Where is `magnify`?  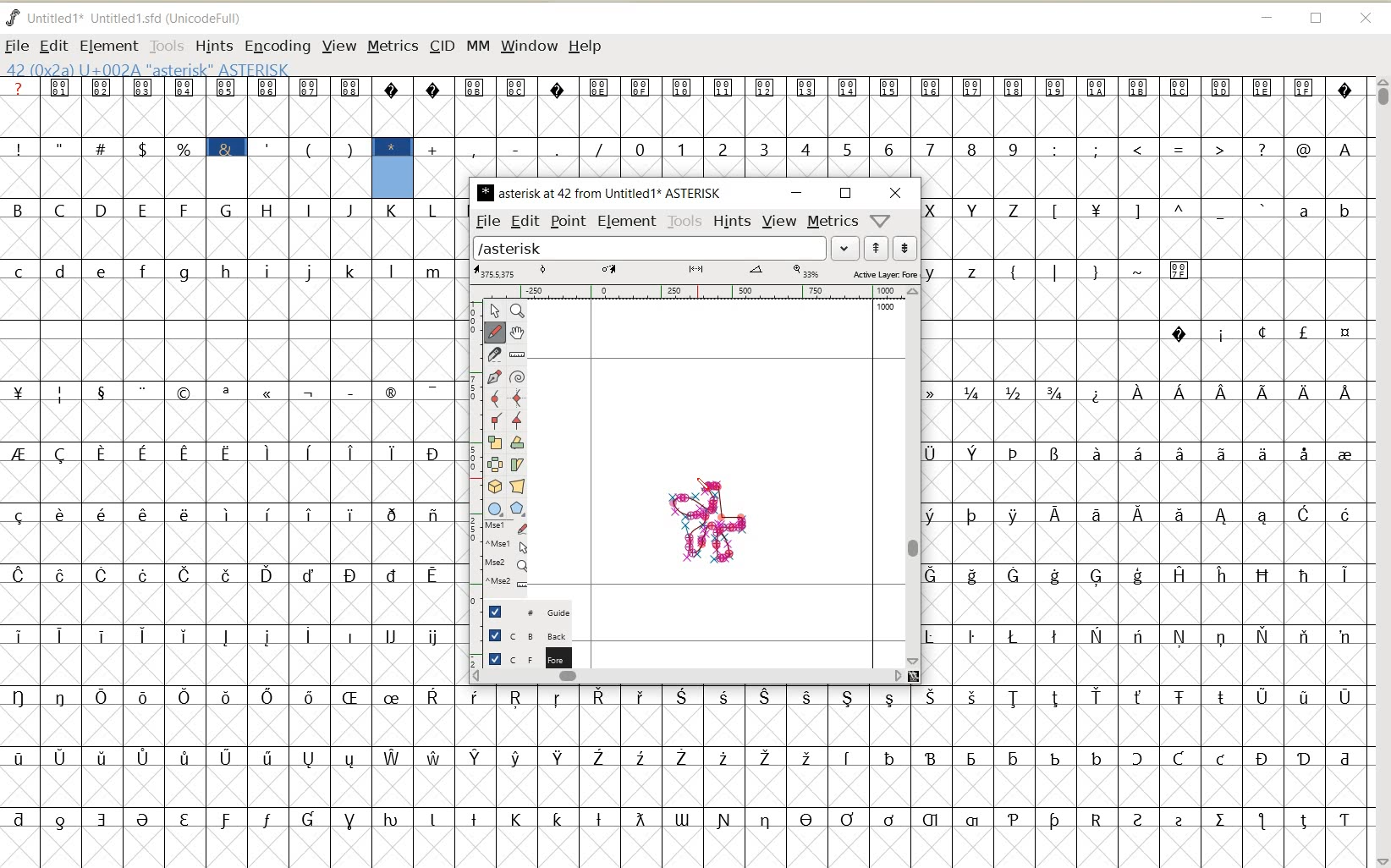
magnify is located at coordinates (518, 312).